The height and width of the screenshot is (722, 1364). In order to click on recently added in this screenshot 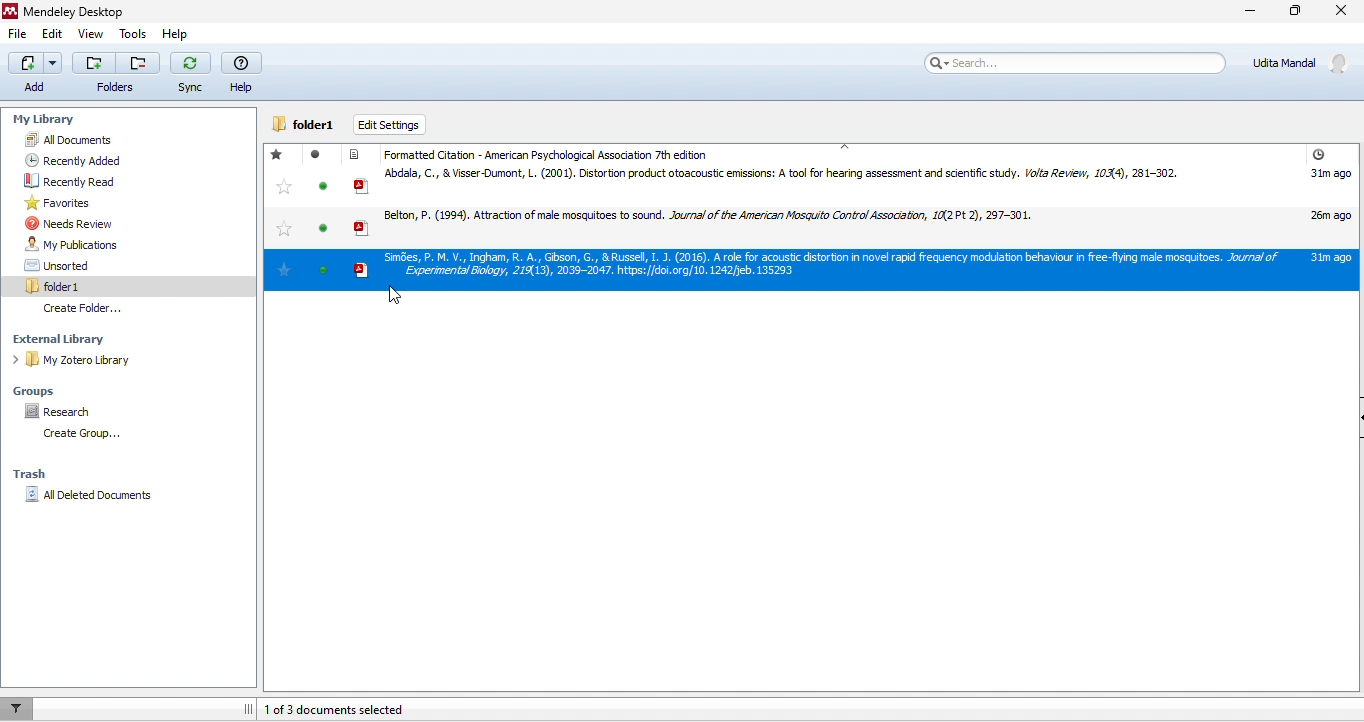, I will do `click(66, 160)`.